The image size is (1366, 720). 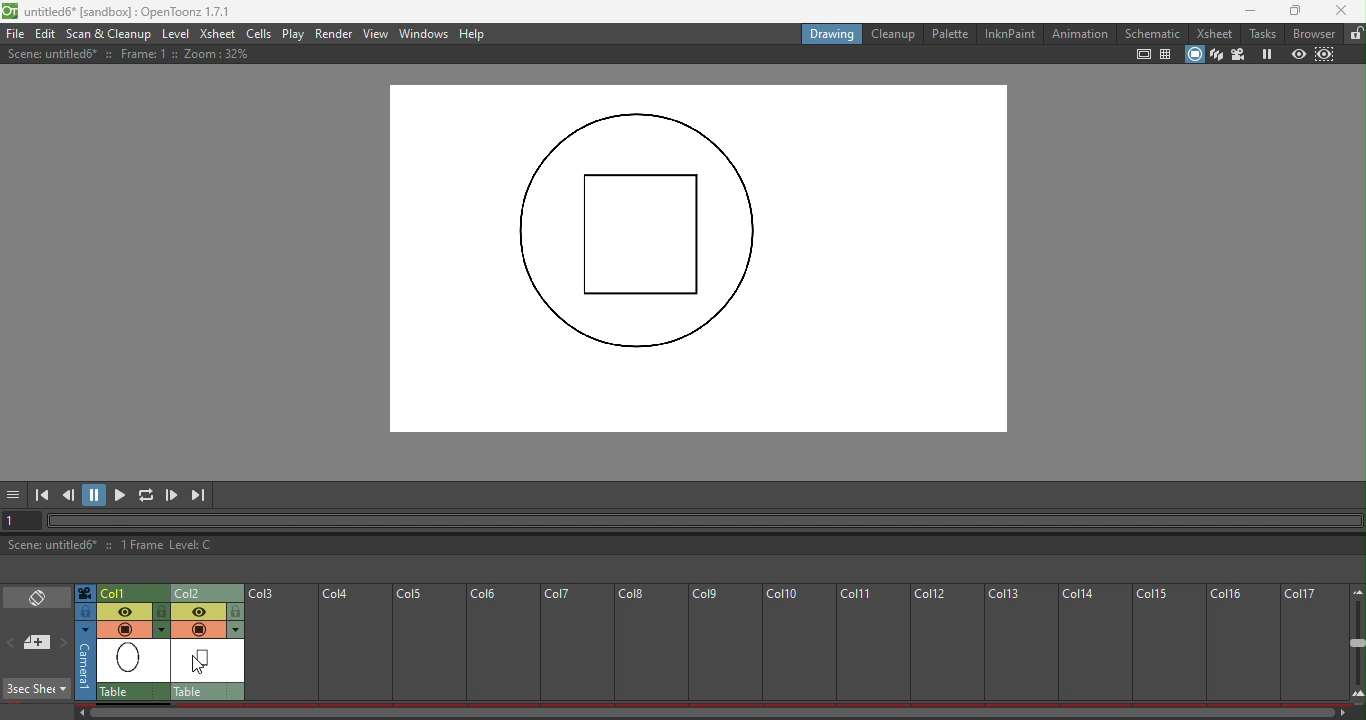 What do you see at coordinates (1193, 54) in the screenshot?
I see `Camera stand view` at bounding box center [1193, 54].